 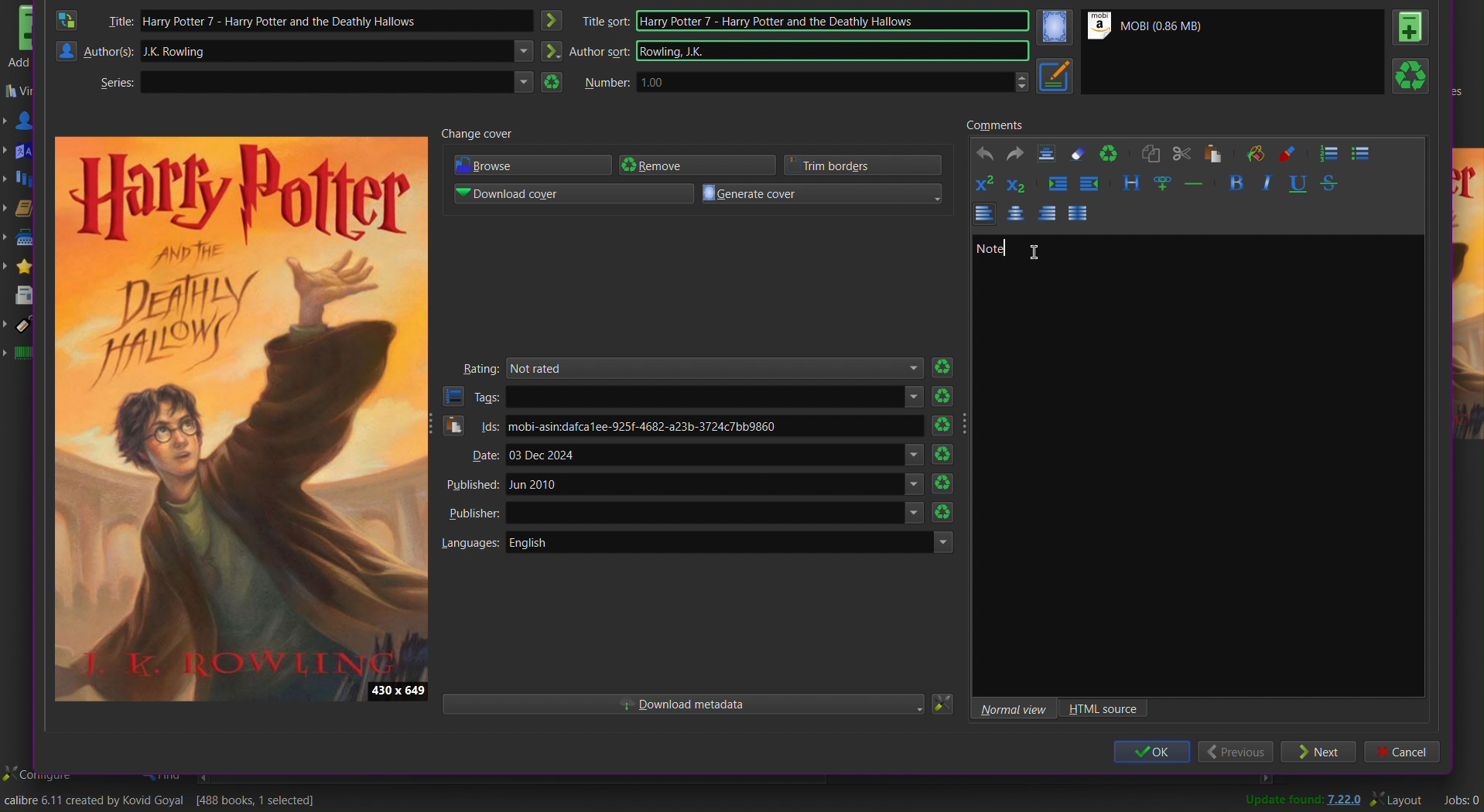 What do you see at coordinates (983, 213) in the screenshot?
I see `Left Align` at bounding box center [983, 213].